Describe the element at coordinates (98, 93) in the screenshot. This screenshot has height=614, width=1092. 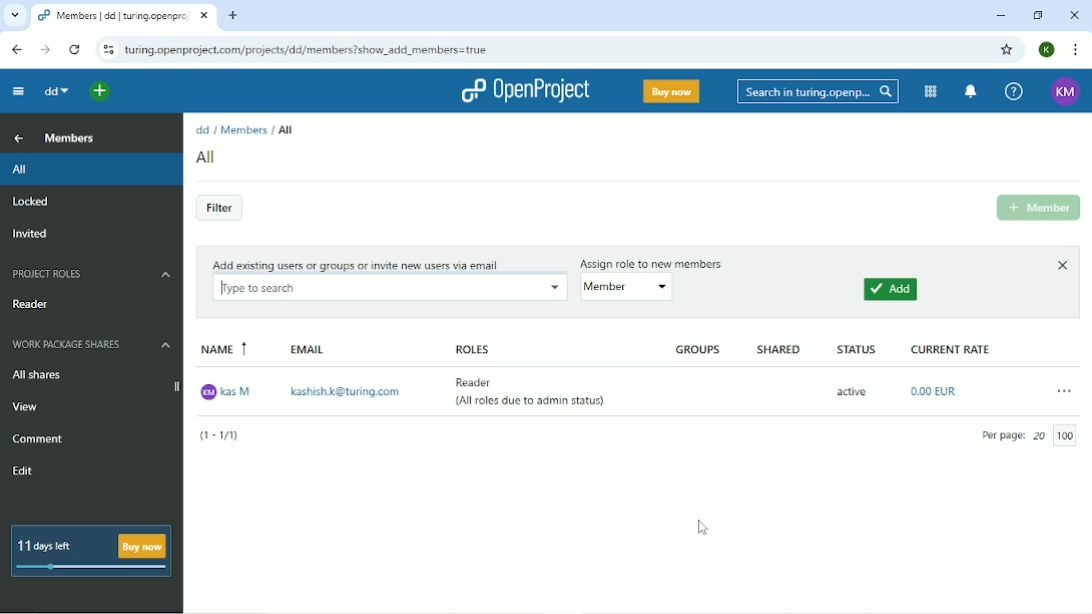
I see `Open quick add me` at that location.